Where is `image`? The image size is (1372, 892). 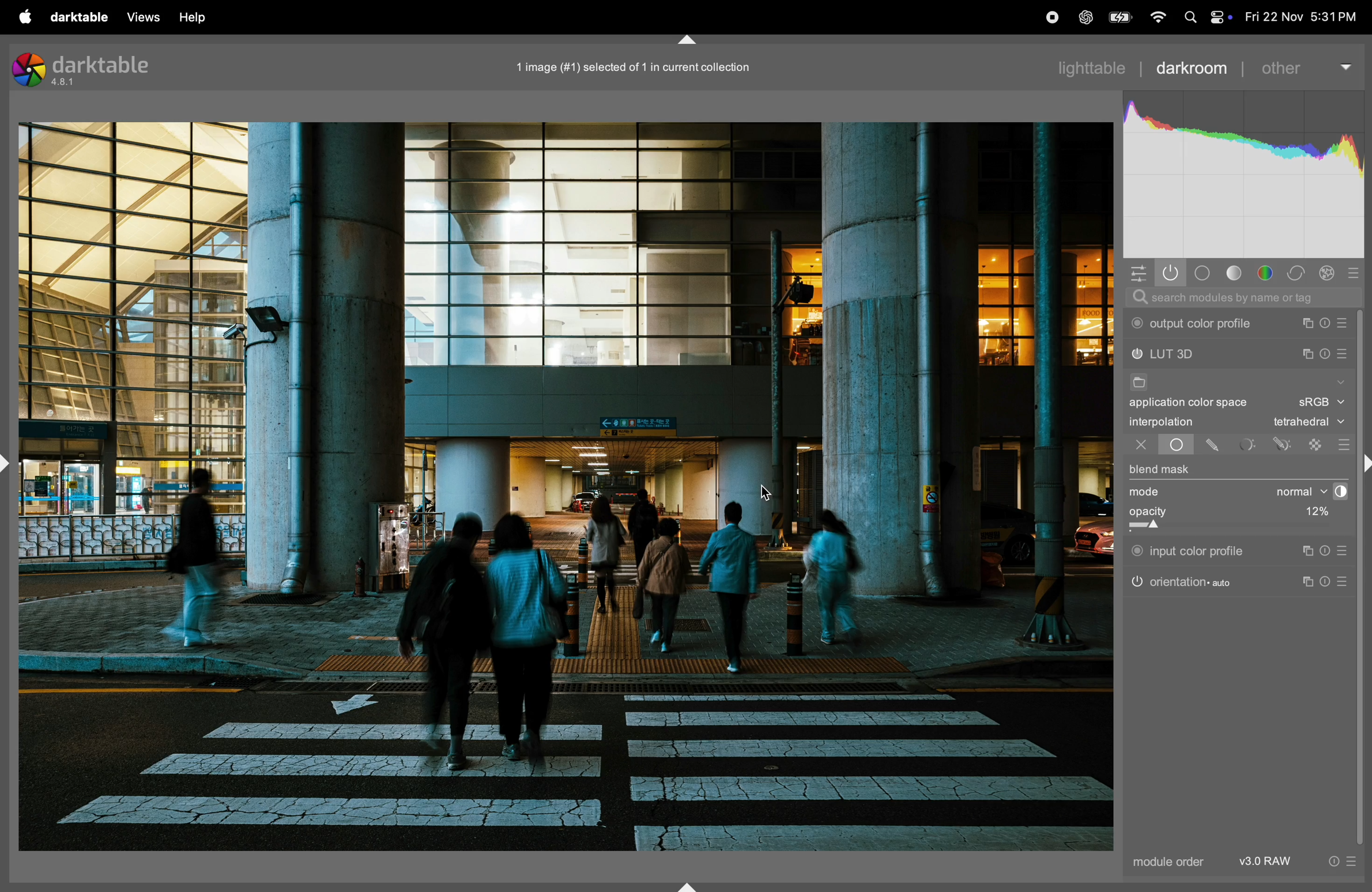
image is located at coordinates (566, 486).